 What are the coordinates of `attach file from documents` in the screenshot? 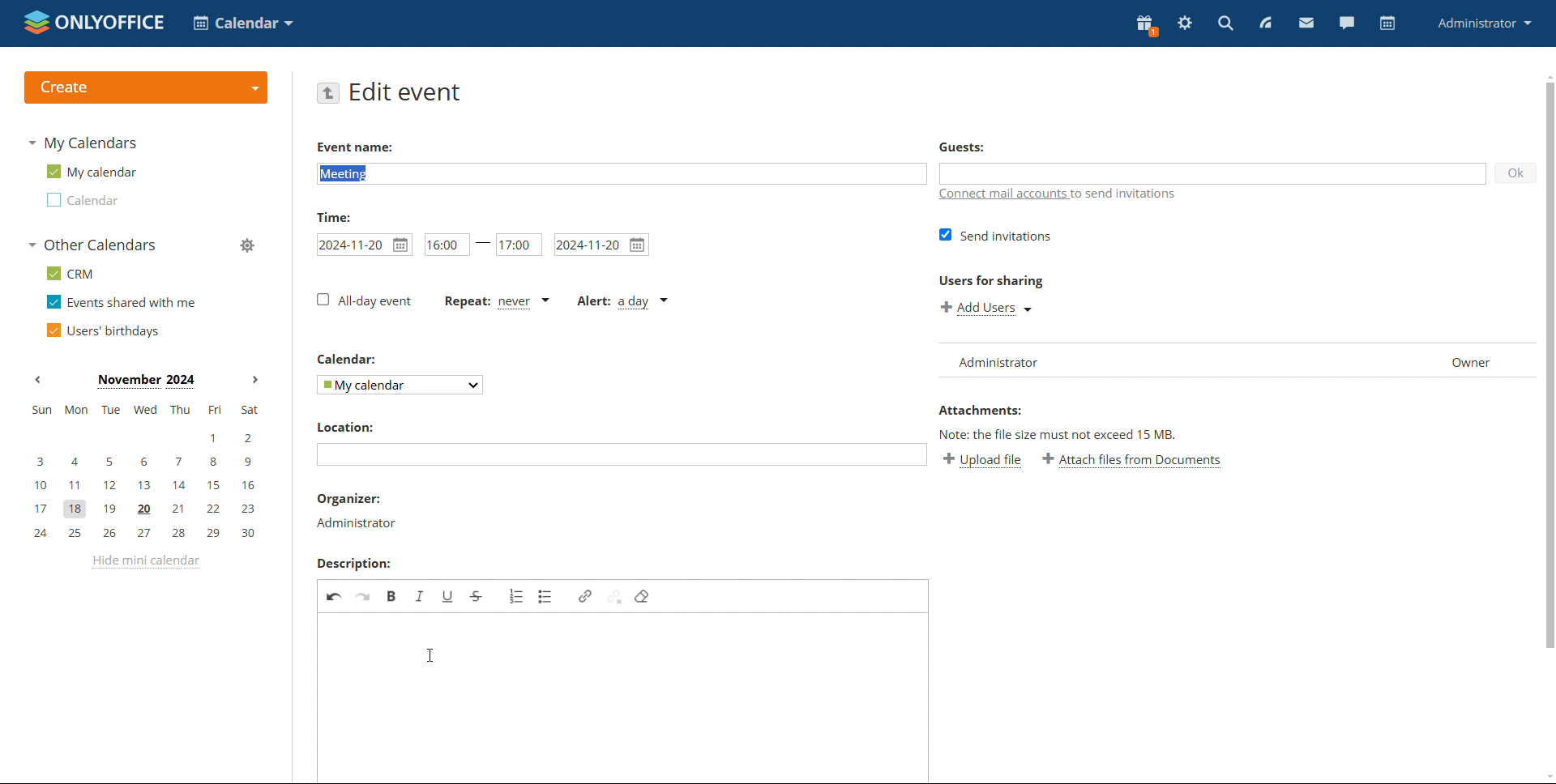 It's located at (1133, 461).